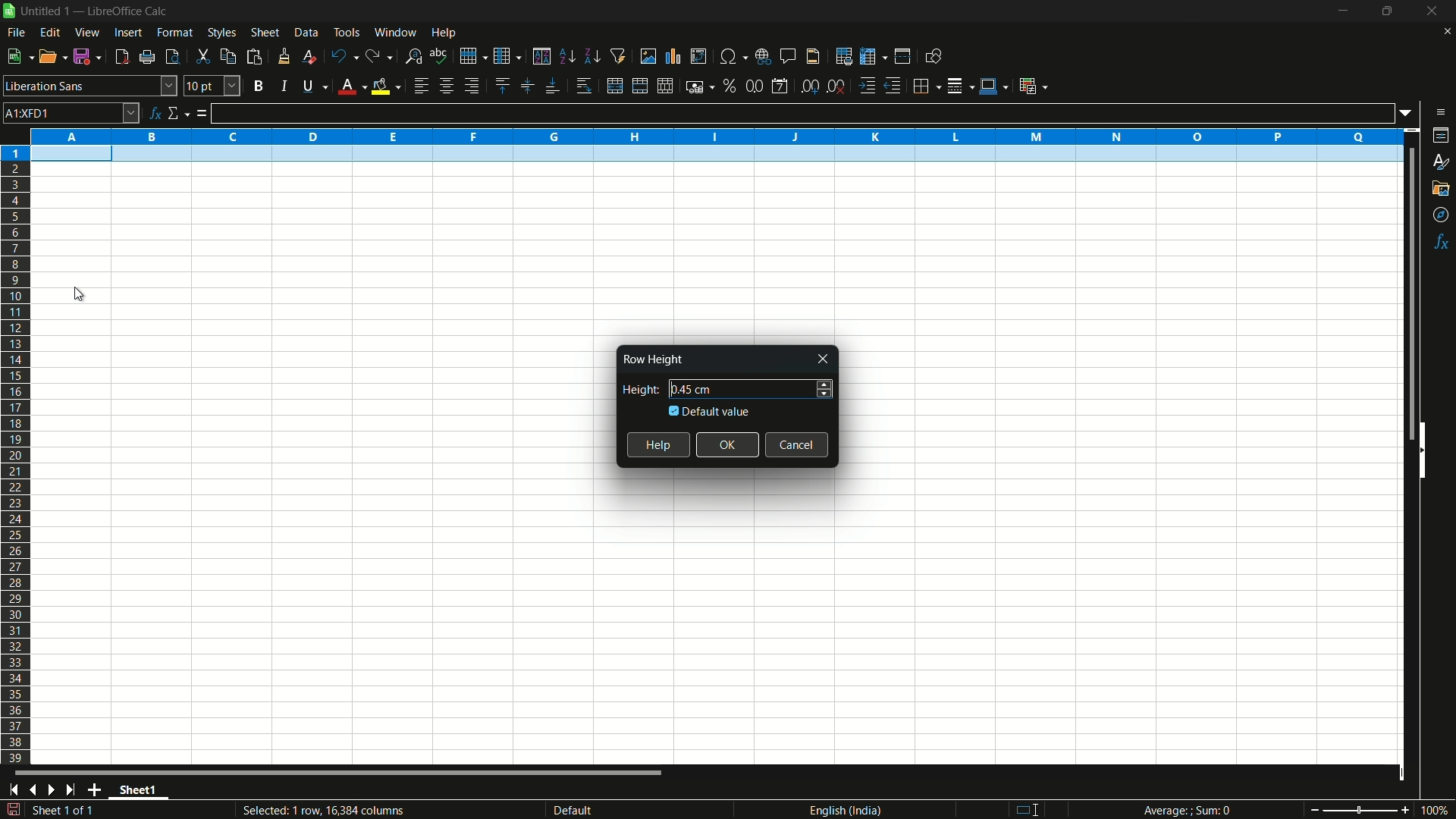 The width and height of the screenshot is (1456, 819). Describe the element at coordinates (526, 86) in the screenshot. I see `center vertically` at that location.